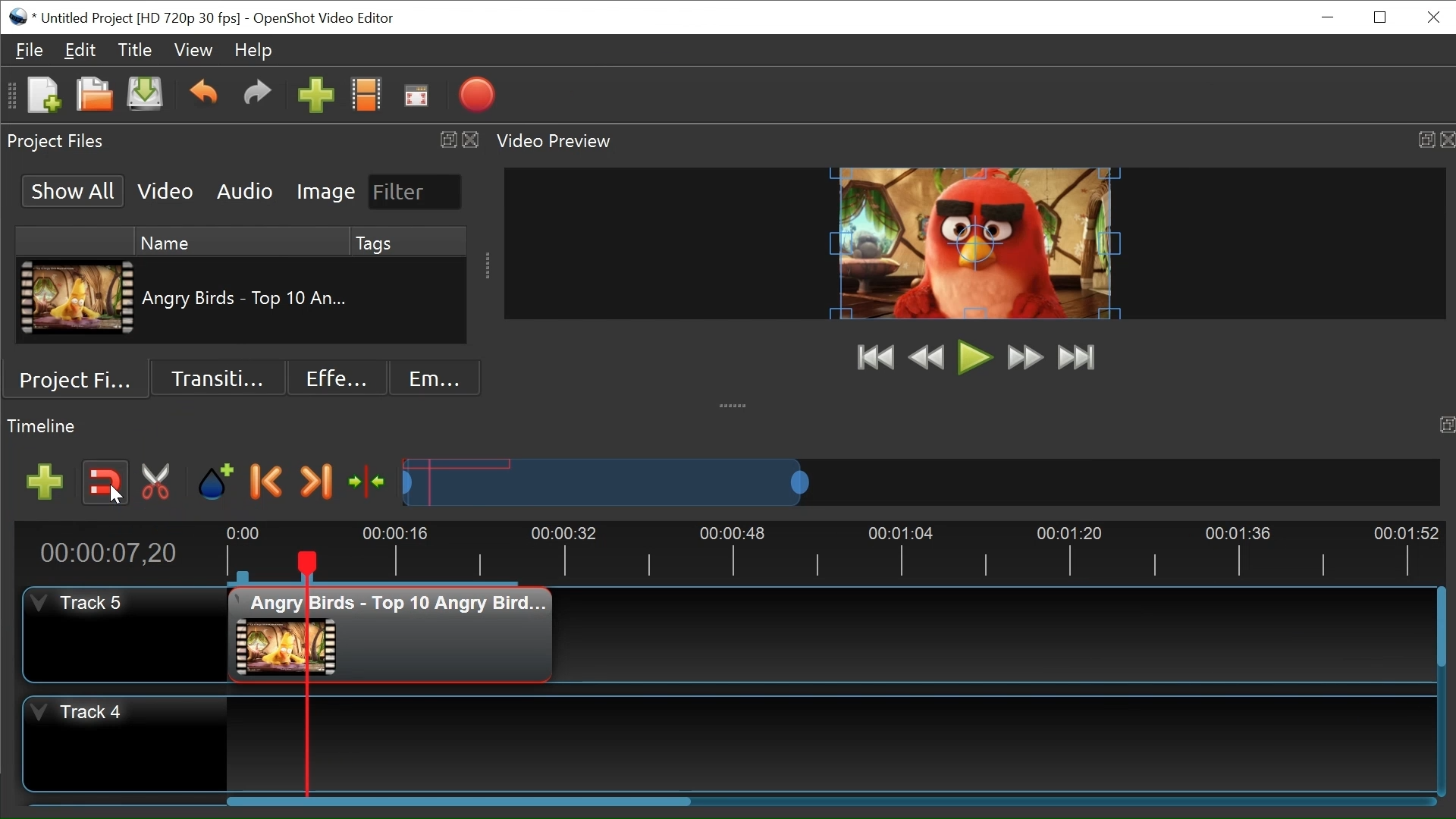  What do you see at coordinates (830, 554) in the screenshot?
I see `Timeline` at bounding box center [830, 554].